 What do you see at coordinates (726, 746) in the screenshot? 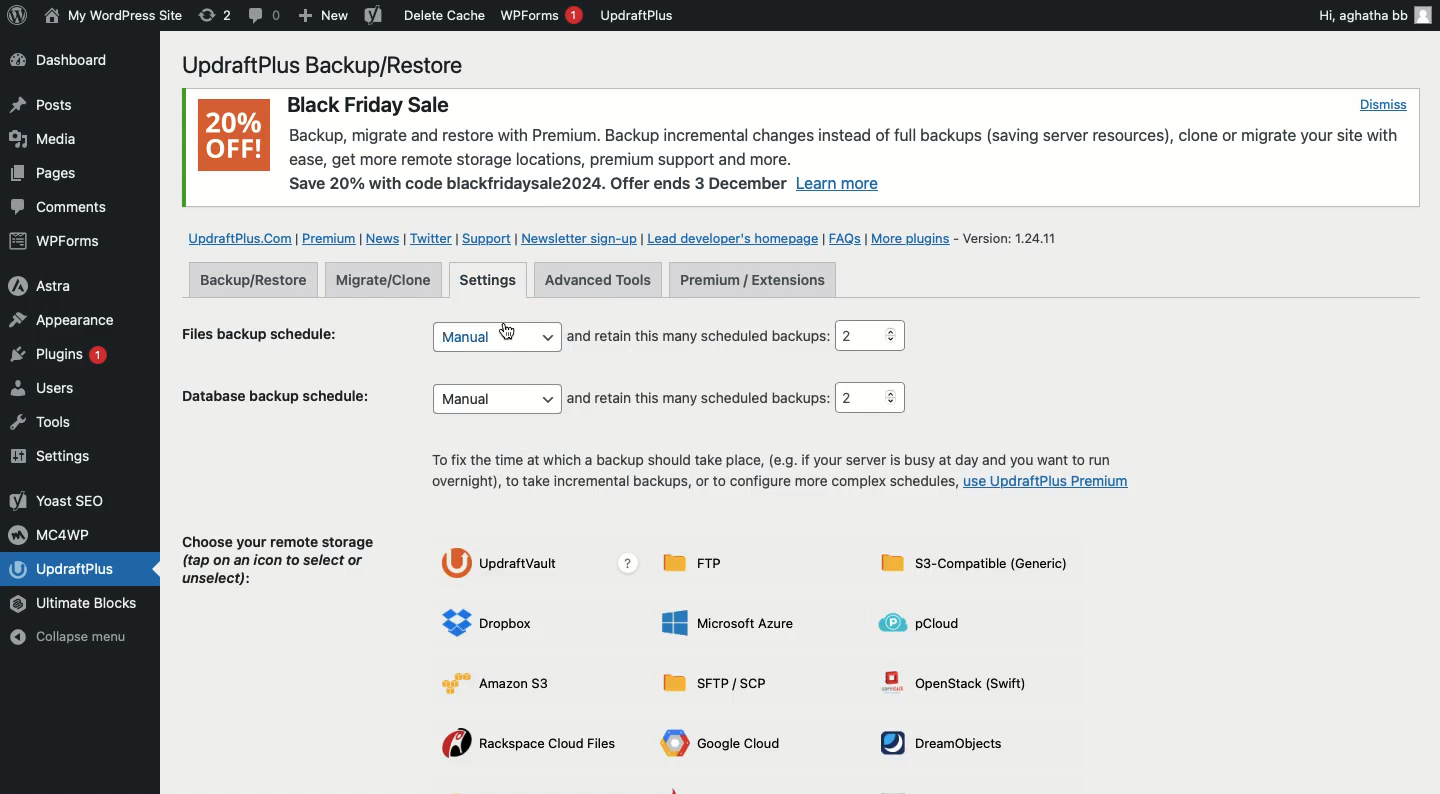
I see `Google cloud` at bounding box center [726, 746].